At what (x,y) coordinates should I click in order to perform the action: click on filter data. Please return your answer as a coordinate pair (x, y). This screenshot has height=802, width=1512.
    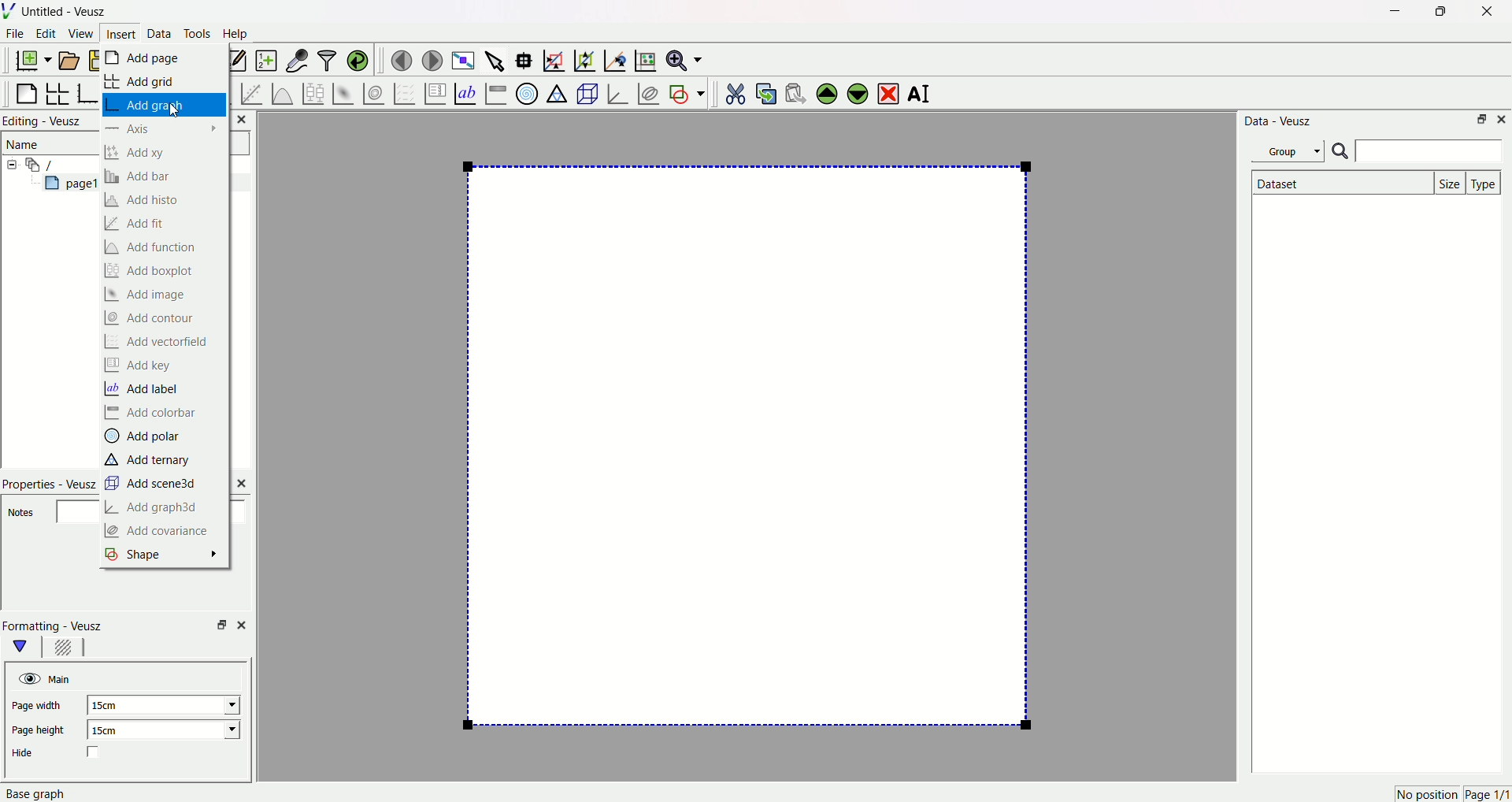
    Looking at the image, I should click on (326, 58).